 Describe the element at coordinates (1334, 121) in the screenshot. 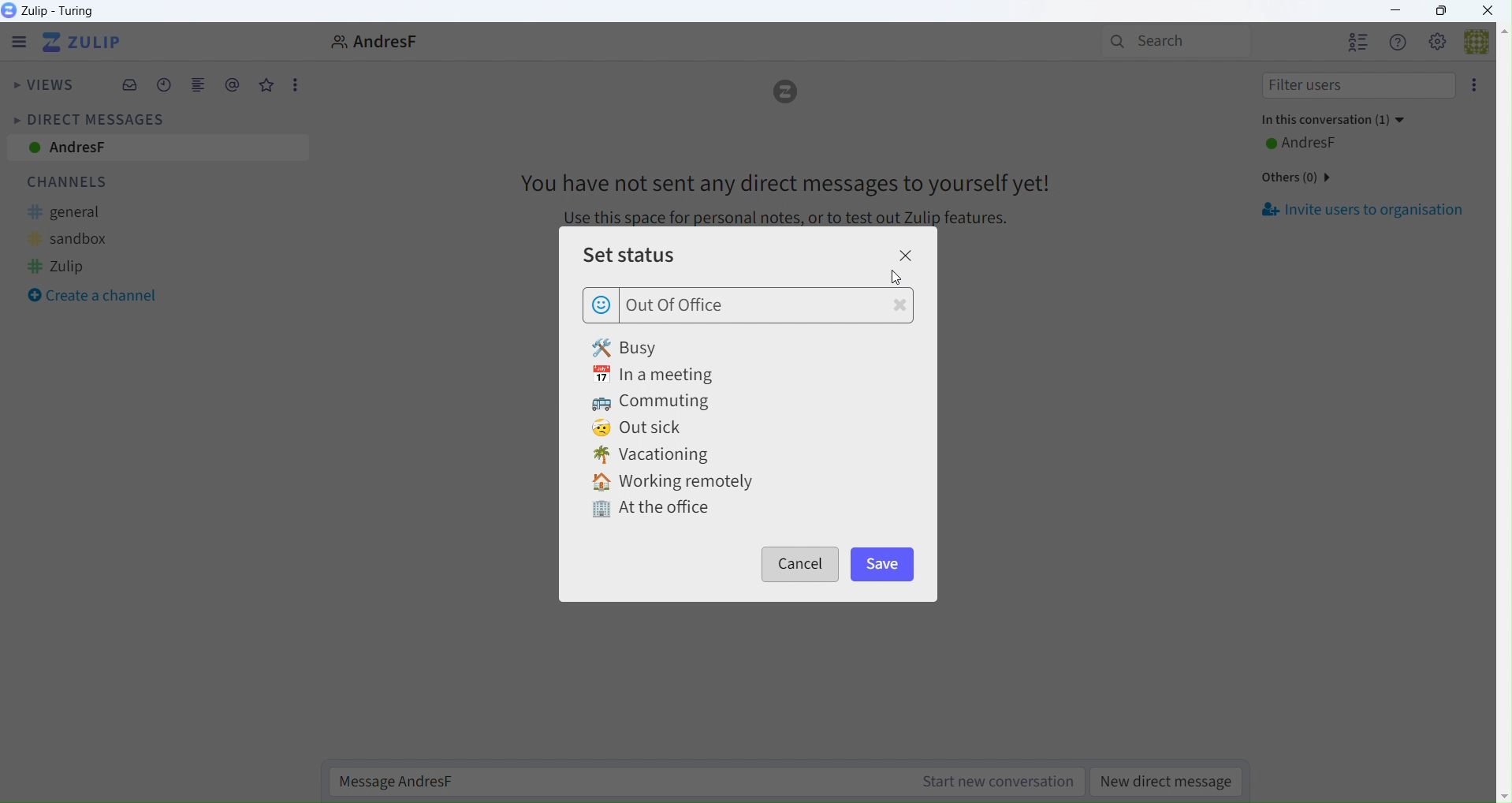

I see `In this conversation` at that location.